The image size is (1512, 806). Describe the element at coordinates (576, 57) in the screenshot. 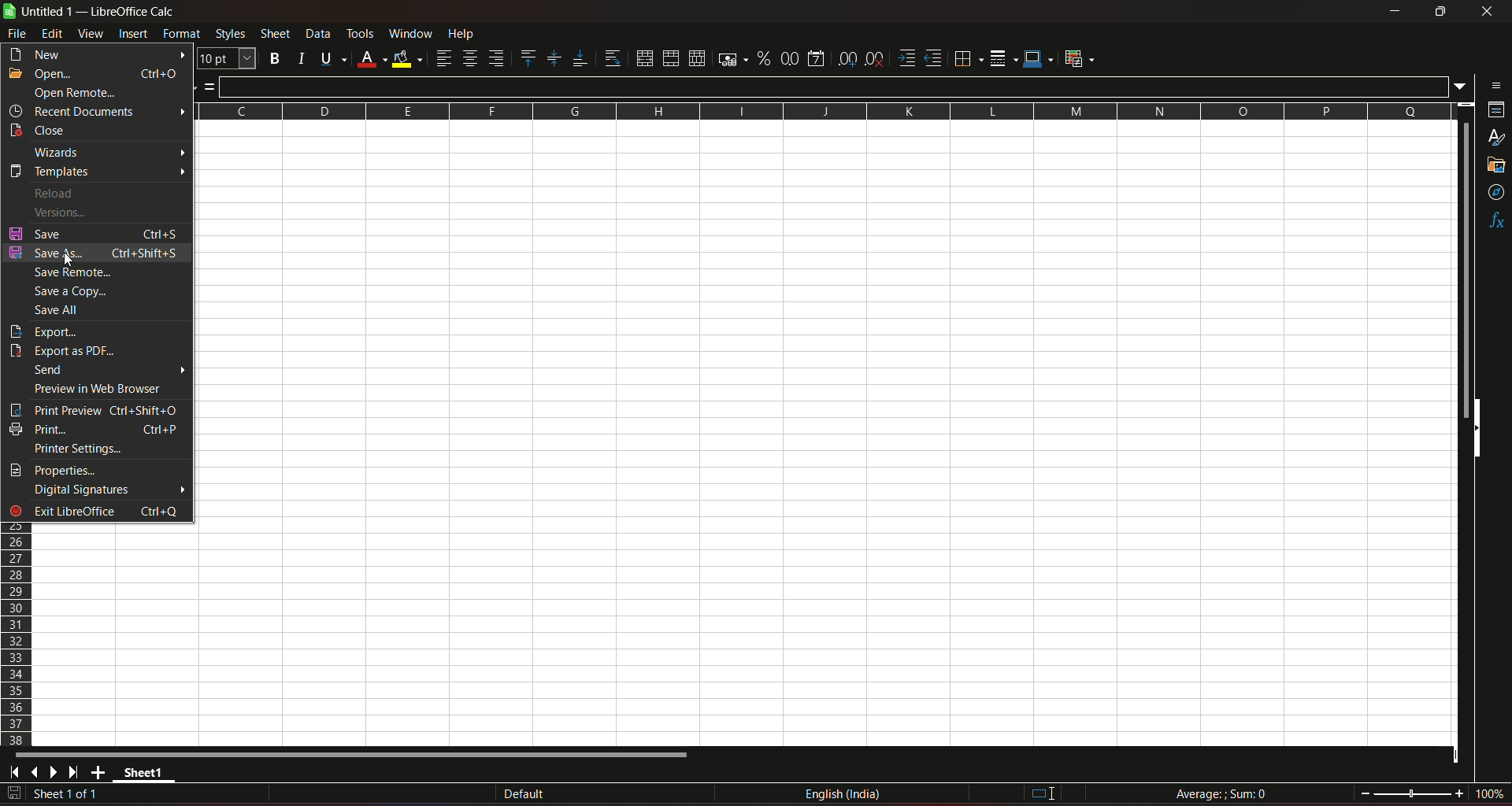

I see `align bottom` at that location.